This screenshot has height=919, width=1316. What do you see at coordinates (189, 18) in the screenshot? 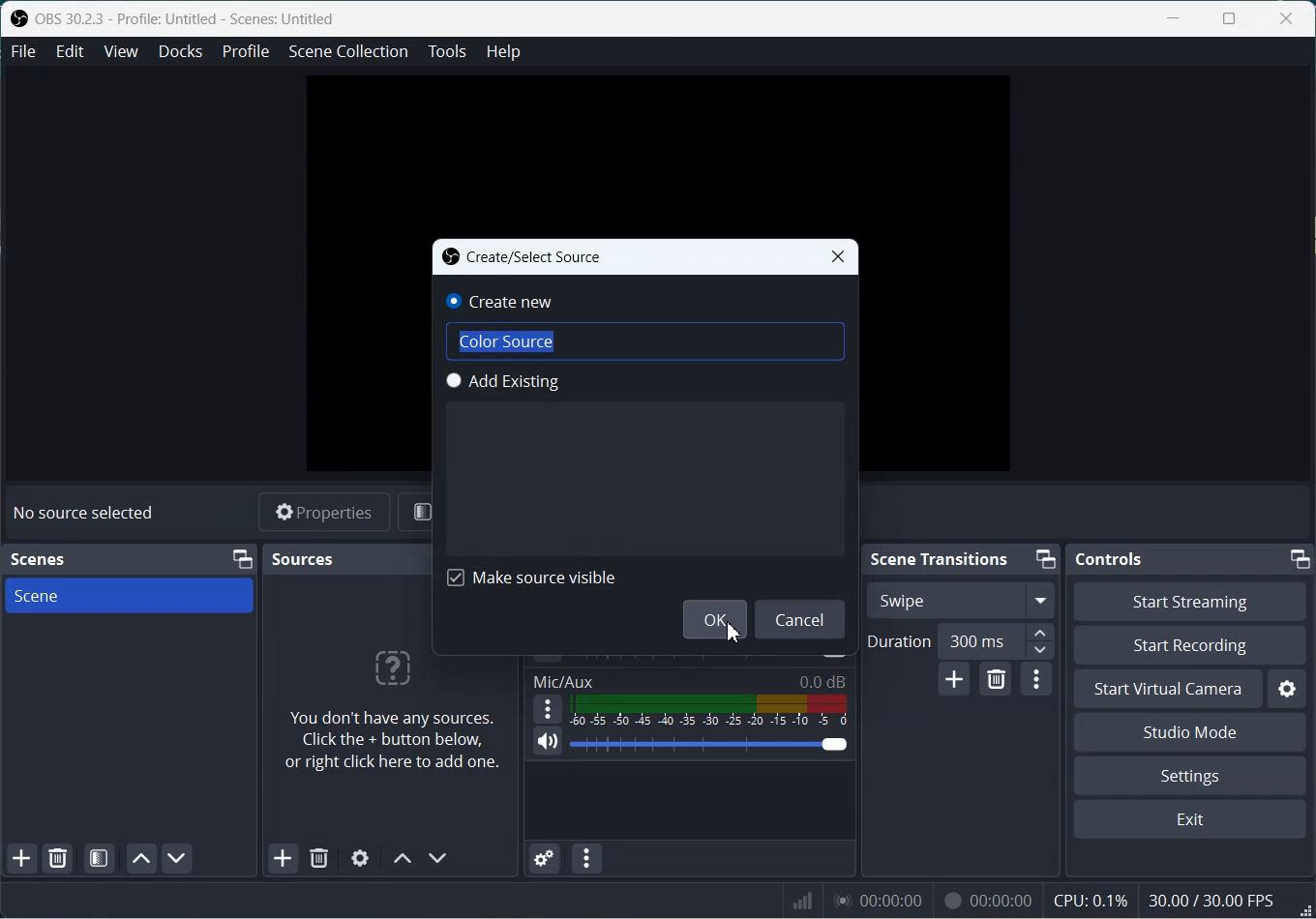
I see `OBS 30.2.3 - Profile: Untitled - Scenes: Untitled` at bounding box center [189, 18].